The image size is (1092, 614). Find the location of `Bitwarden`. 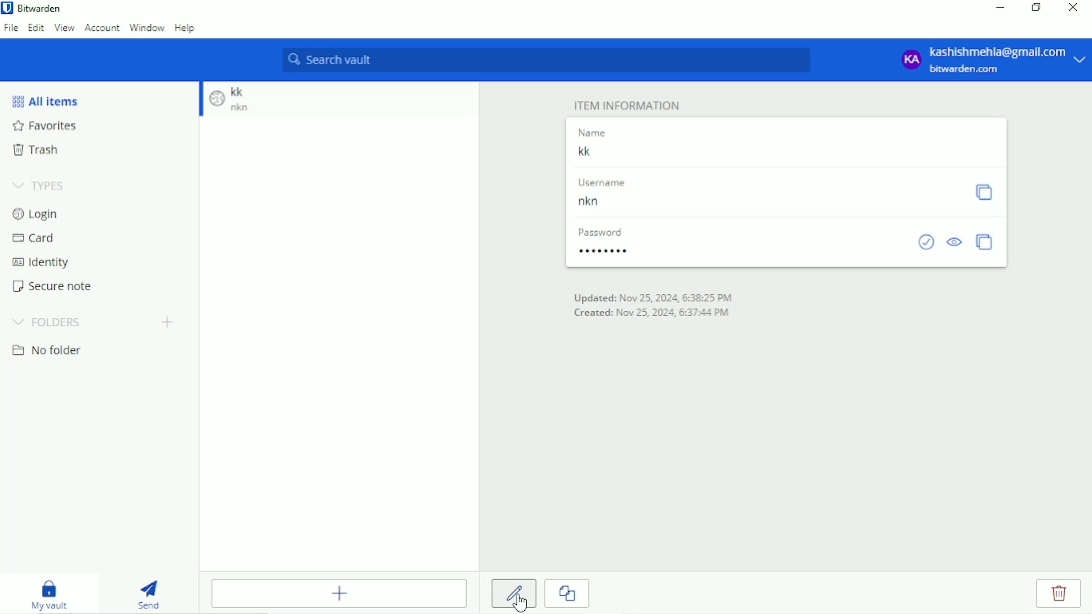

Bitwarden is located at coordinates (35, 9).